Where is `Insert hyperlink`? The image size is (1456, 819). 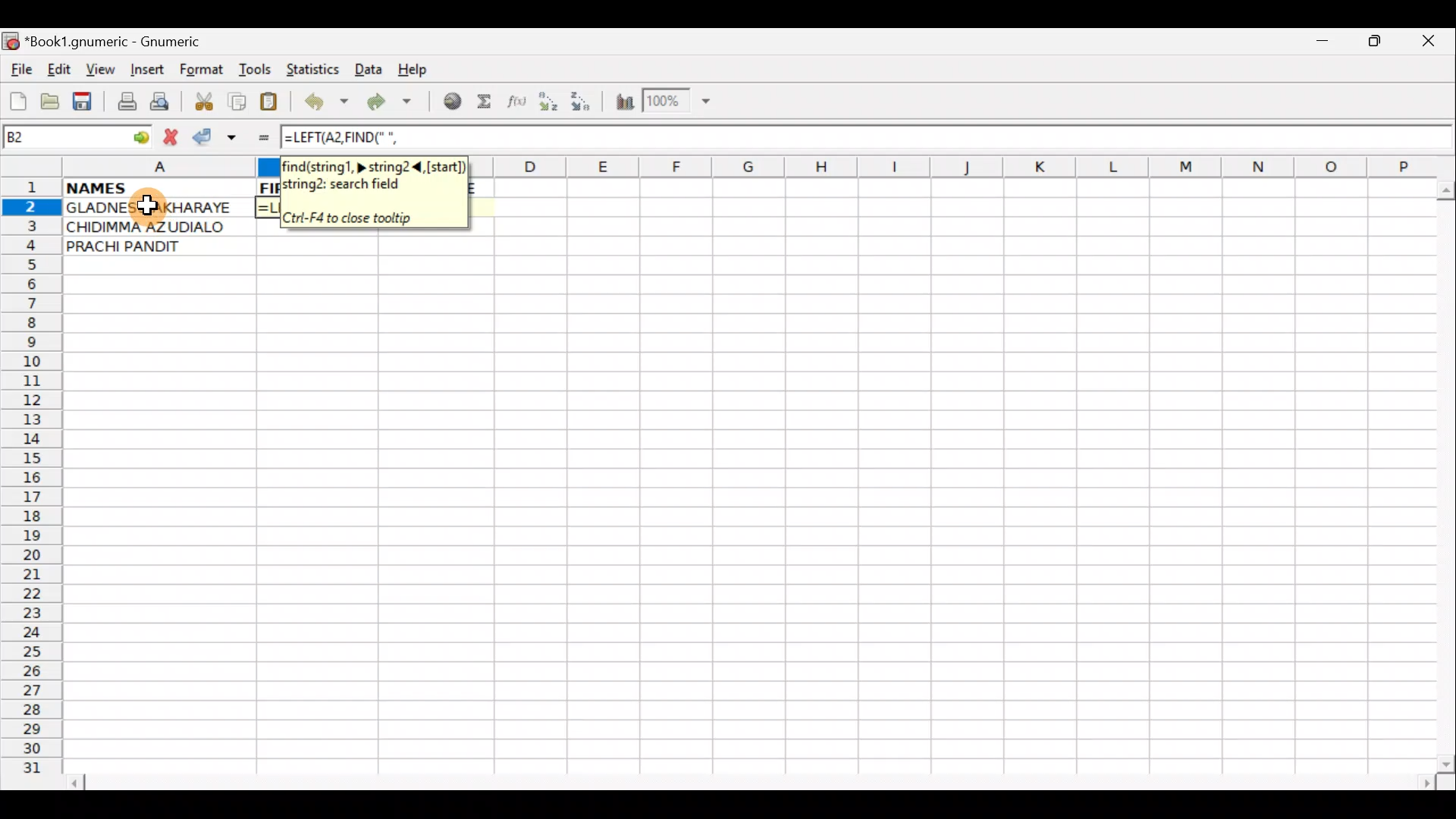
Insert hyperlink is located at coordinates (450, 102).